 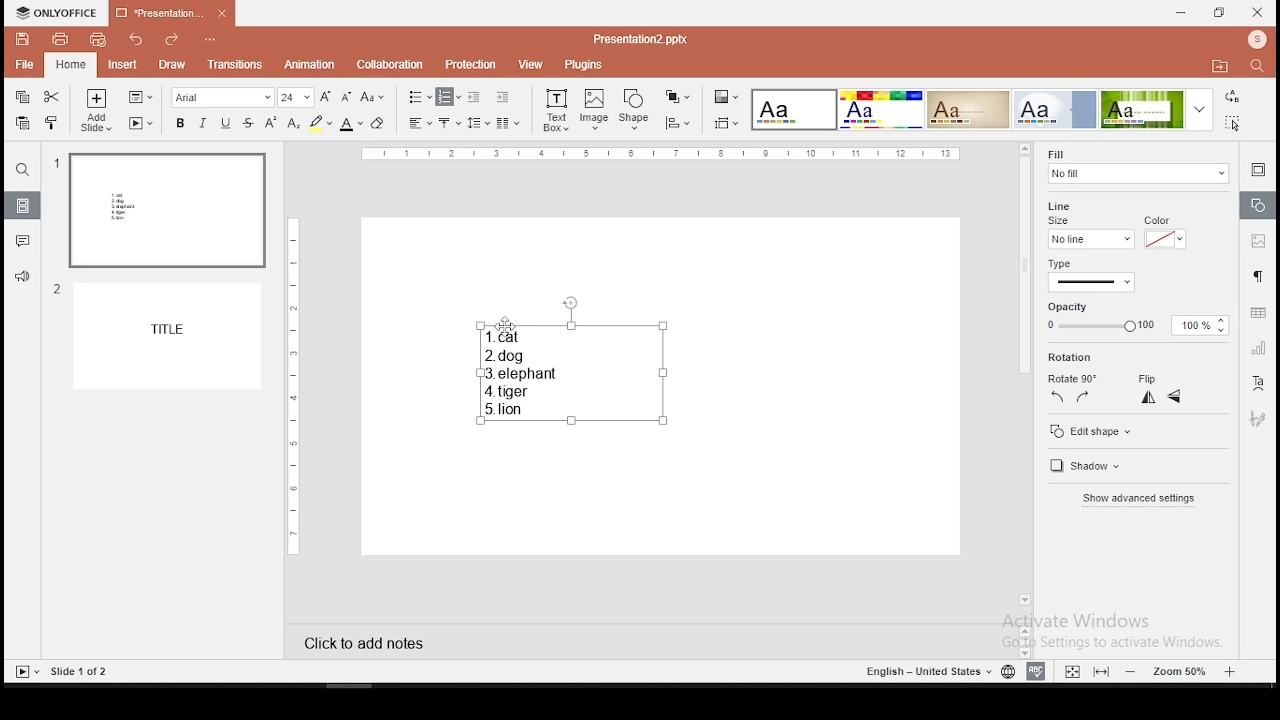 What do you see at coordinates (23, 278) in the screenshot?
I see `support and feedback` at bounding box center [23, 278].